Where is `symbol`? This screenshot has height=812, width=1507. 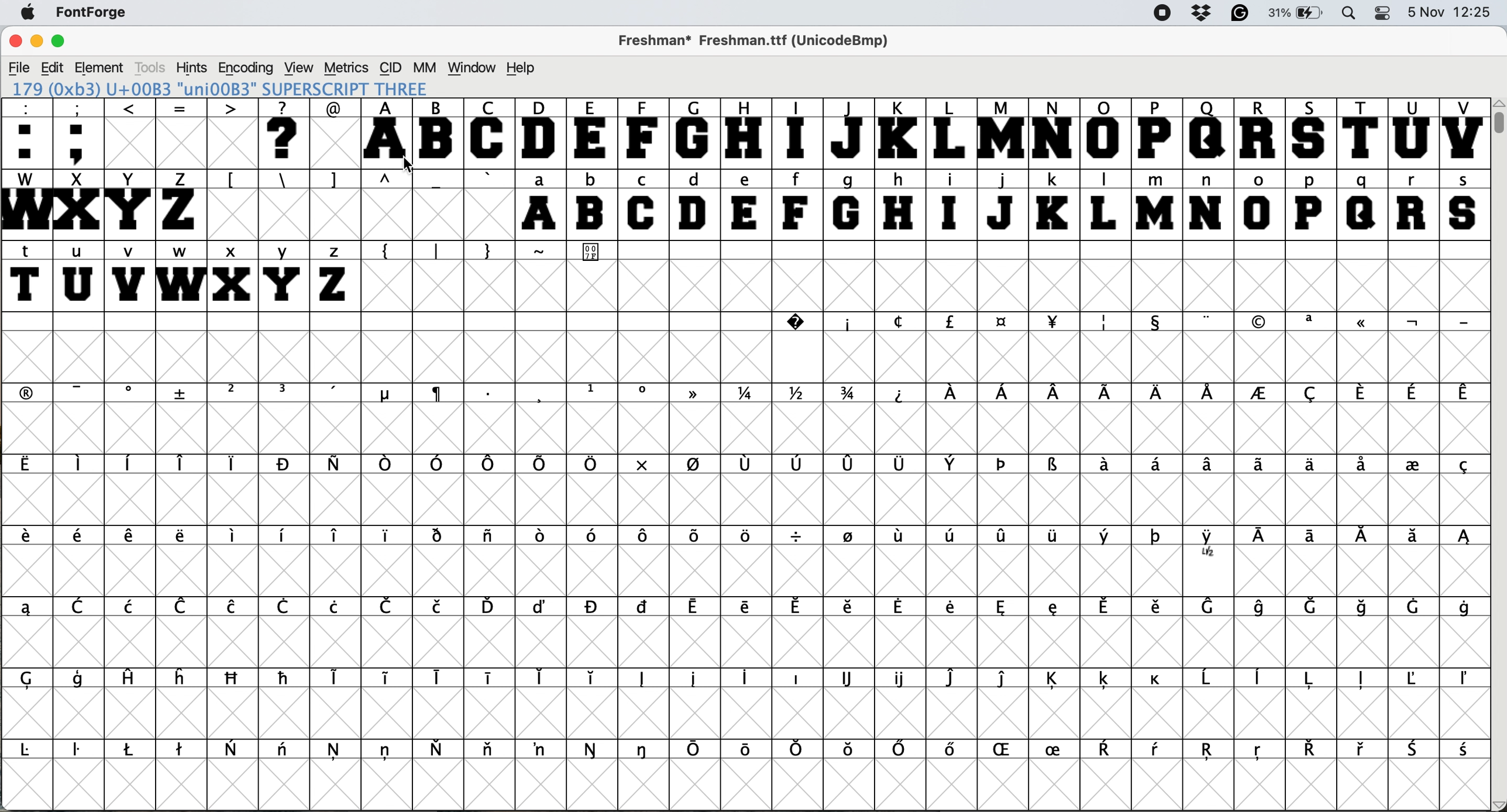 symbol is located at coordinates (1312, 393).